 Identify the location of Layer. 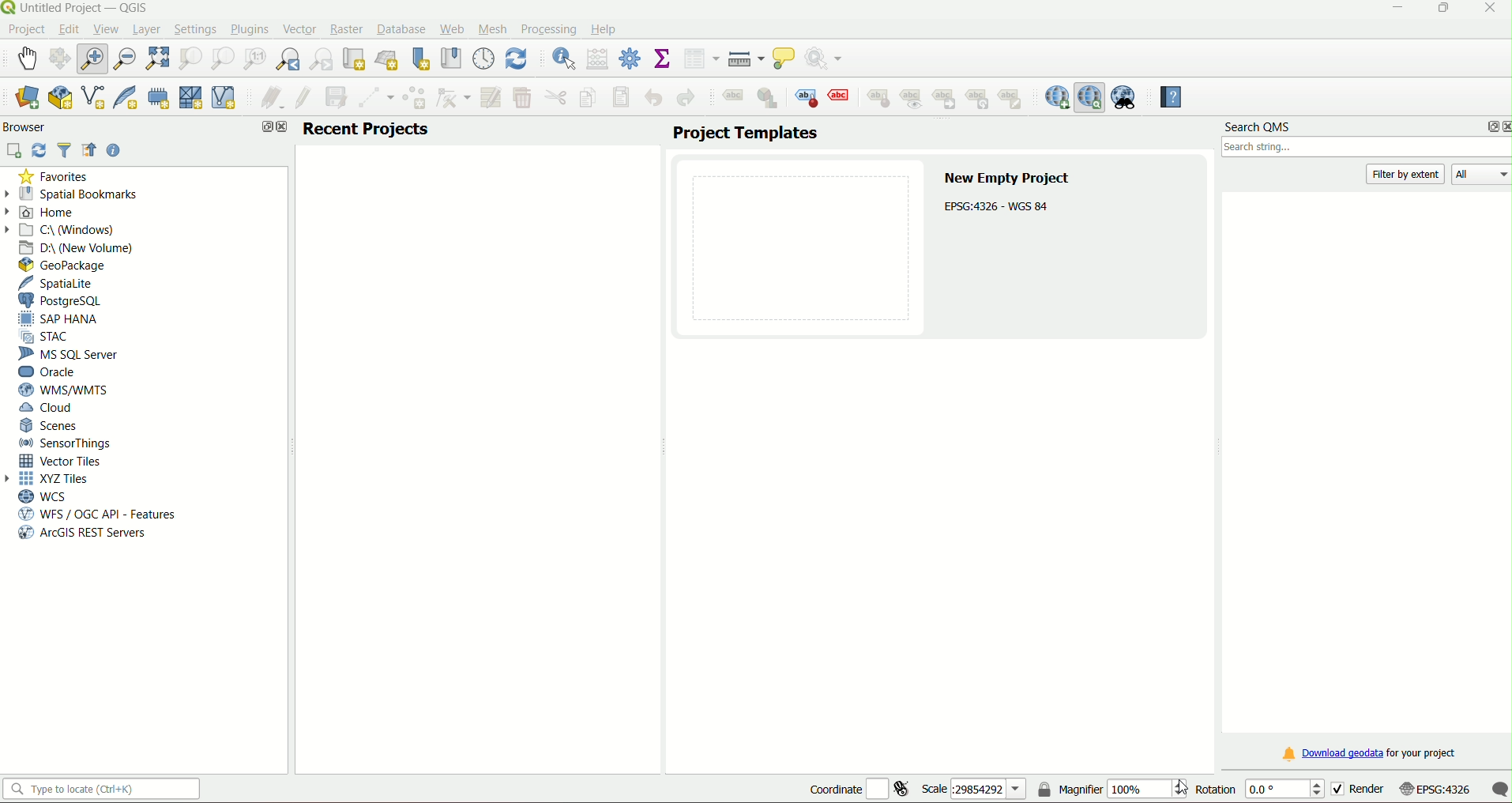
(146, 29).